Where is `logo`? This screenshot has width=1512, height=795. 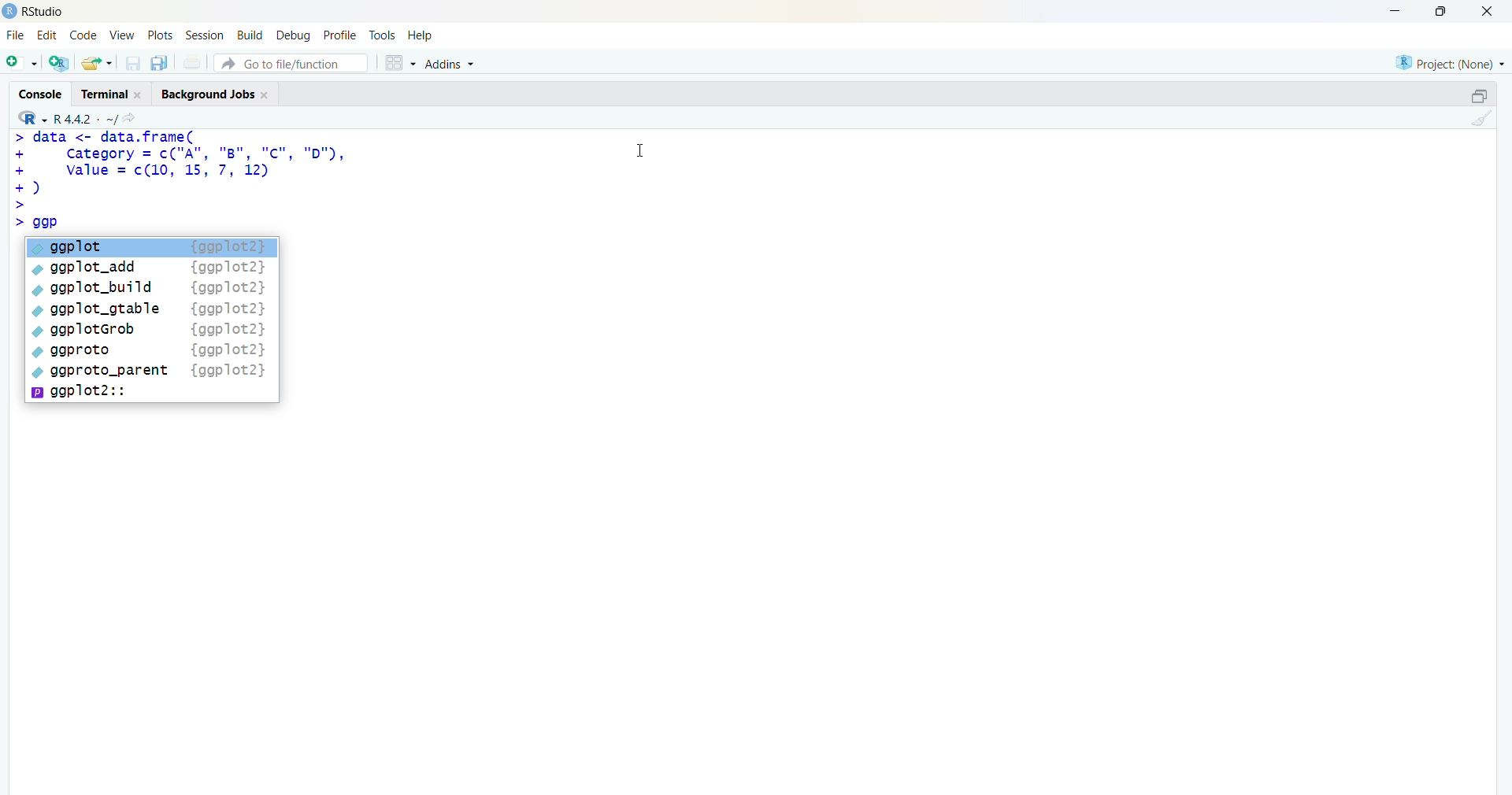 logo is located at coordinates (10, 11).